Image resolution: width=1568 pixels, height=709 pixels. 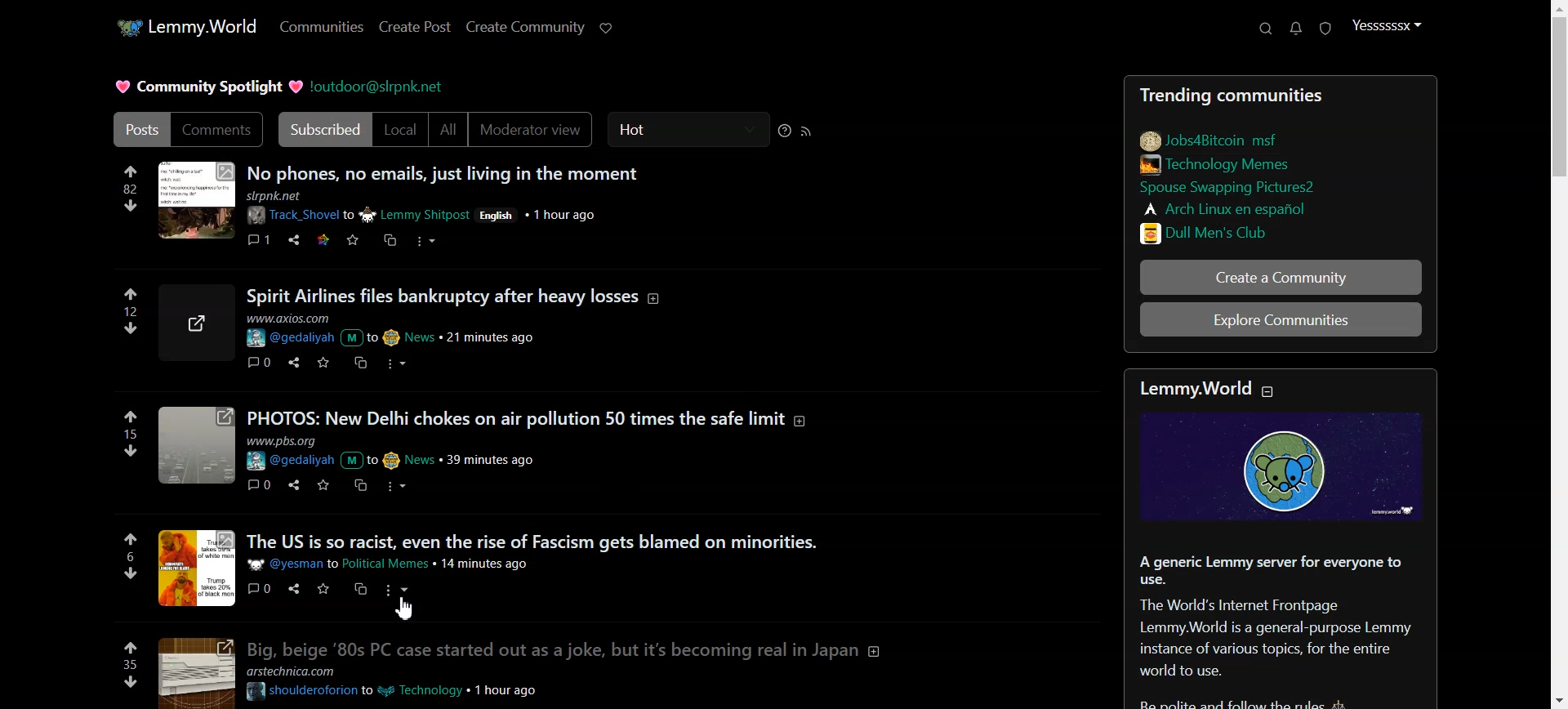 I want to click on link, so click(x=1250, y=231).